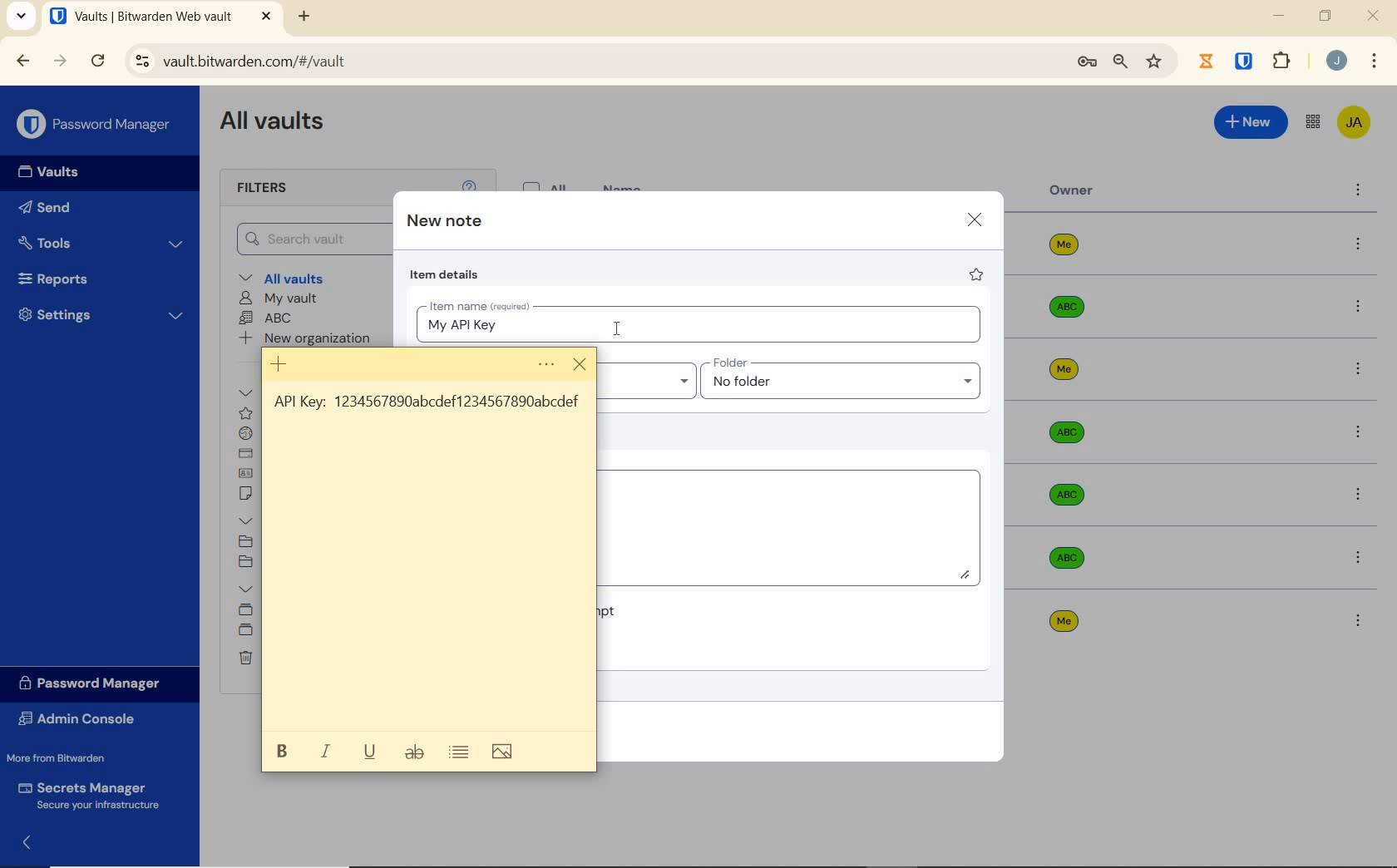 The image size is (1397, 868). I want to click on zoom, so click(1118, 62).